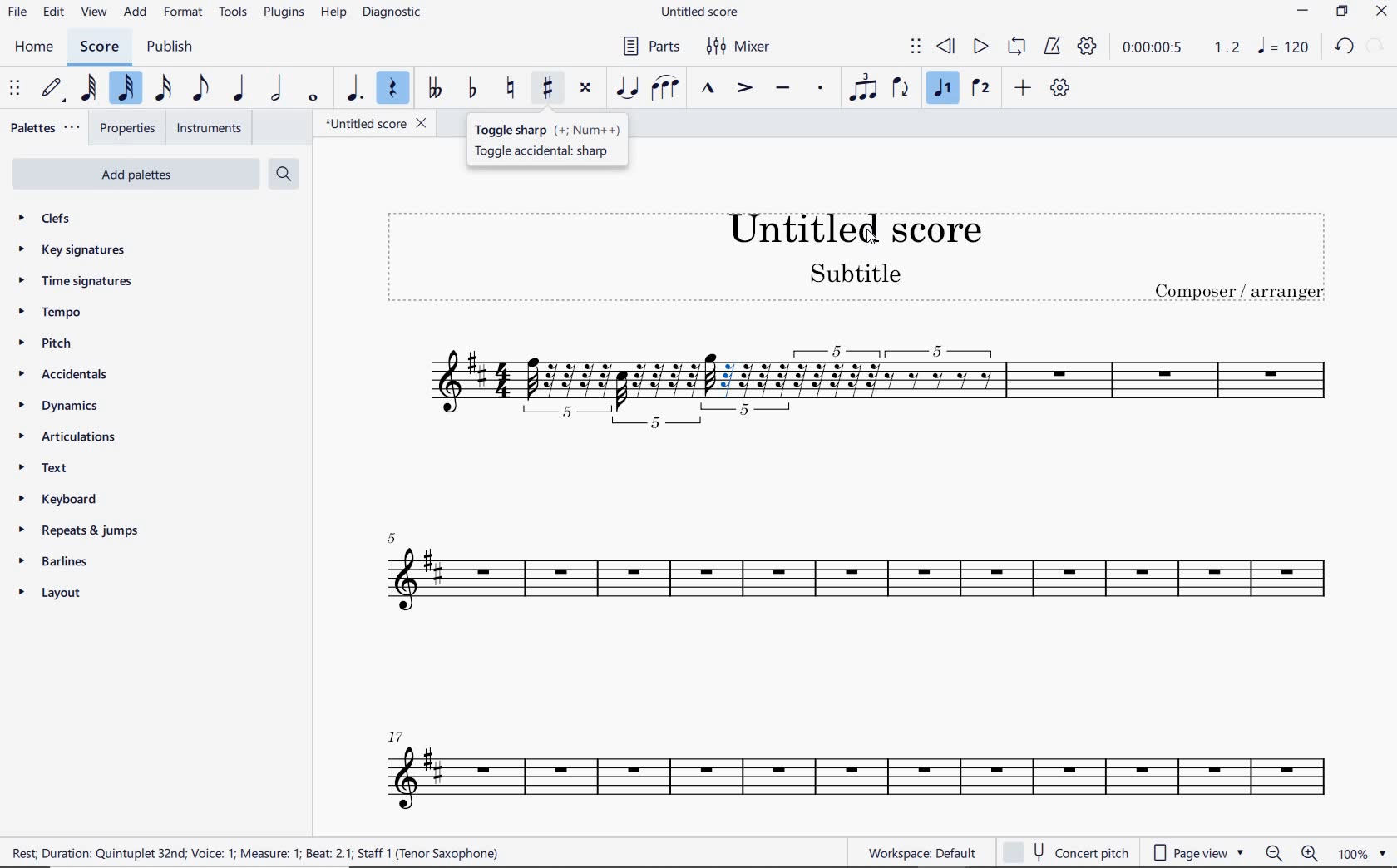  I want to click on QUARTER NOTE, so click(237, 89).